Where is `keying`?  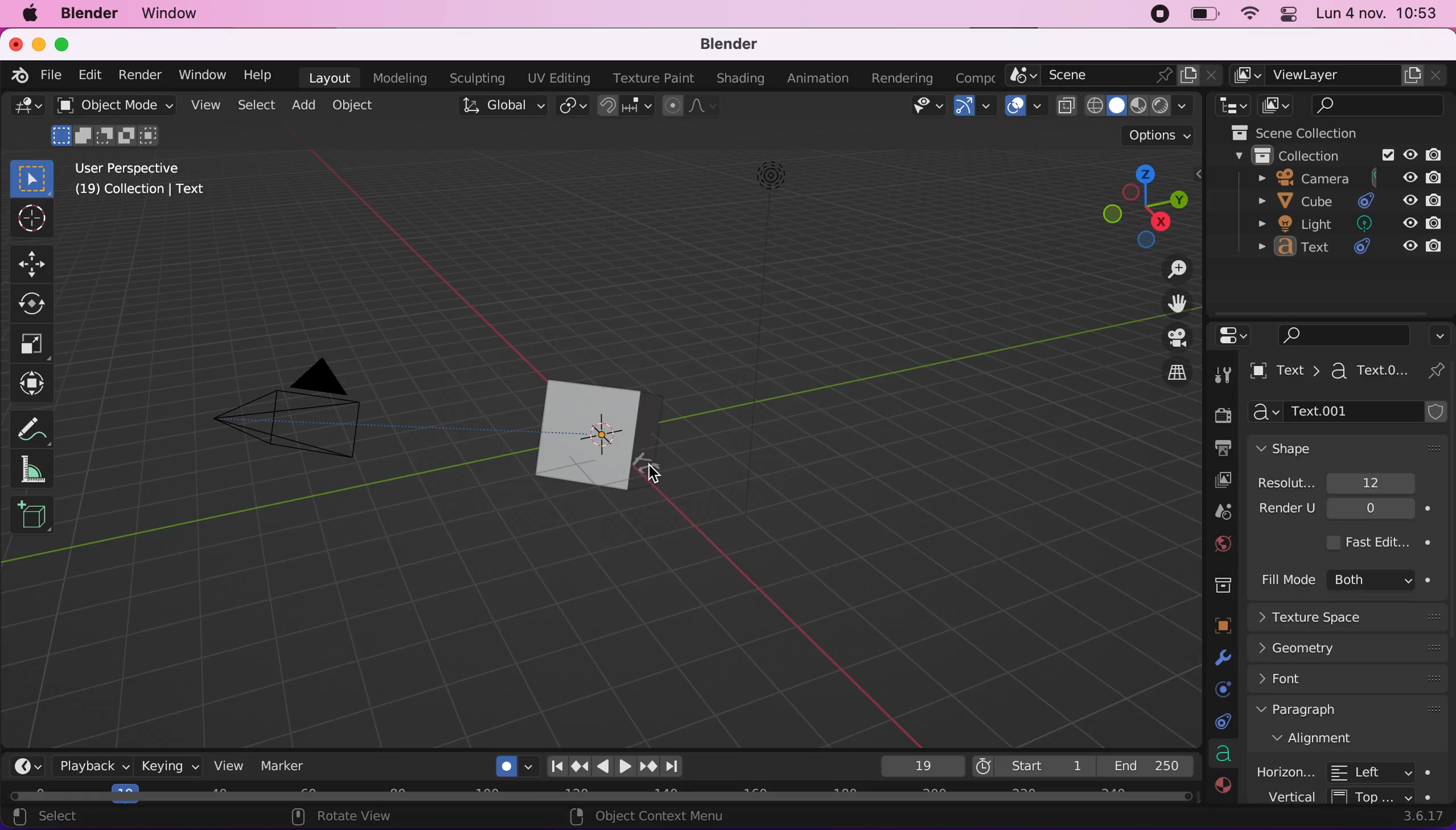
keying is located at coordinates (169, 766).